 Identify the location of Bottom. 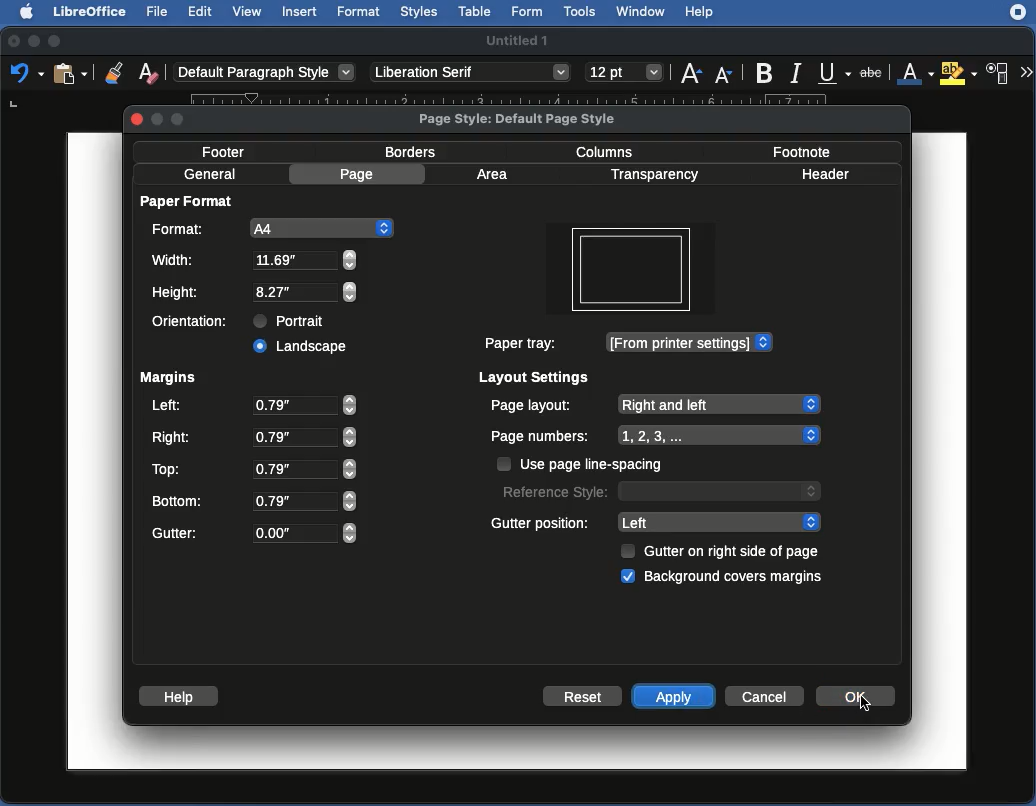
(180, 499).